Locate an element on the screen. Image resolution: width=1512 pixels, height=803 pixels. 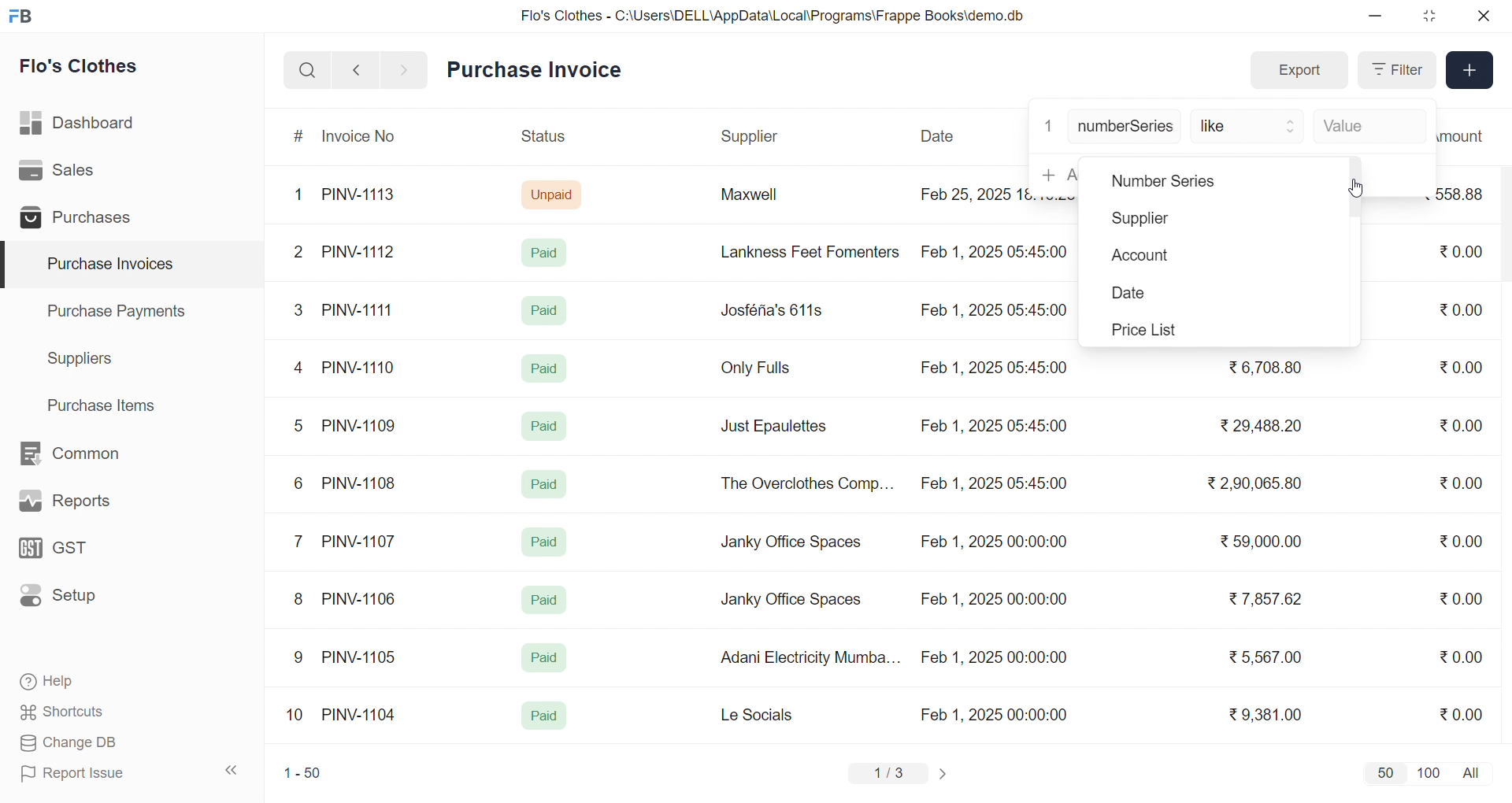
Paid is located at coordinates (545, 484).